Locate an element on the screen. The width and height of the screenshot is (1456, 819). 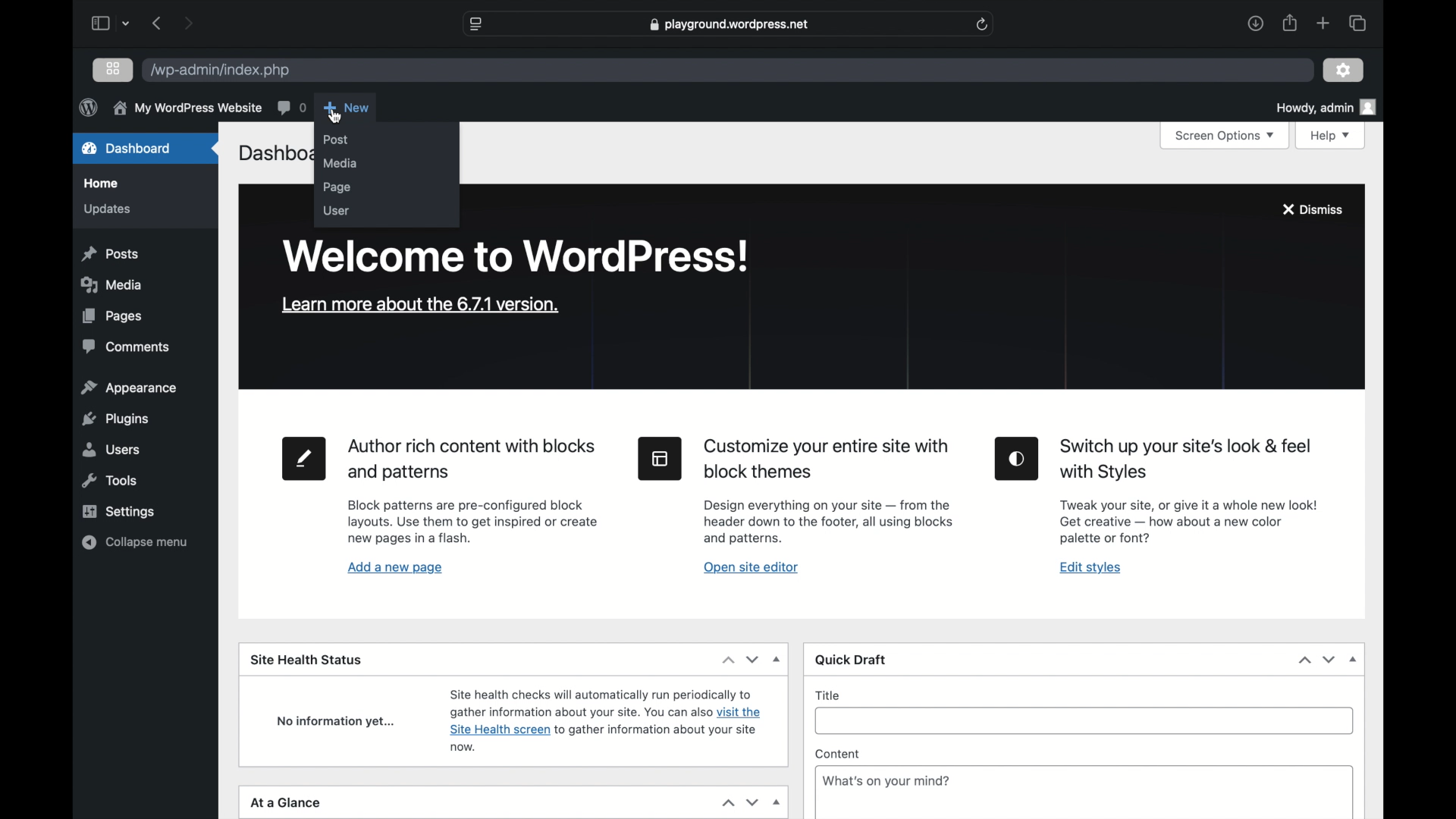
dropdown is located at coordinates (777, 803).